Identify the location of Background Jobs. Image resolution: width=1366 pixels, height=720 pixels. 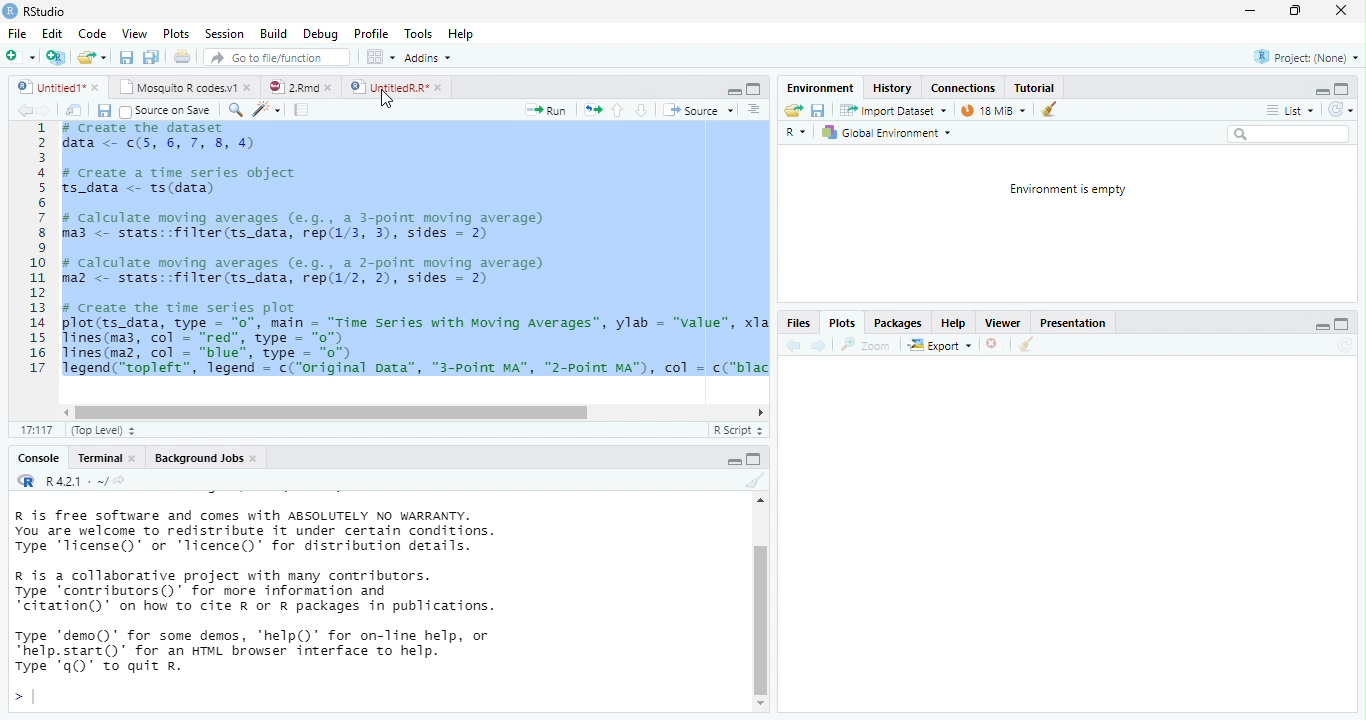
(197, 458).